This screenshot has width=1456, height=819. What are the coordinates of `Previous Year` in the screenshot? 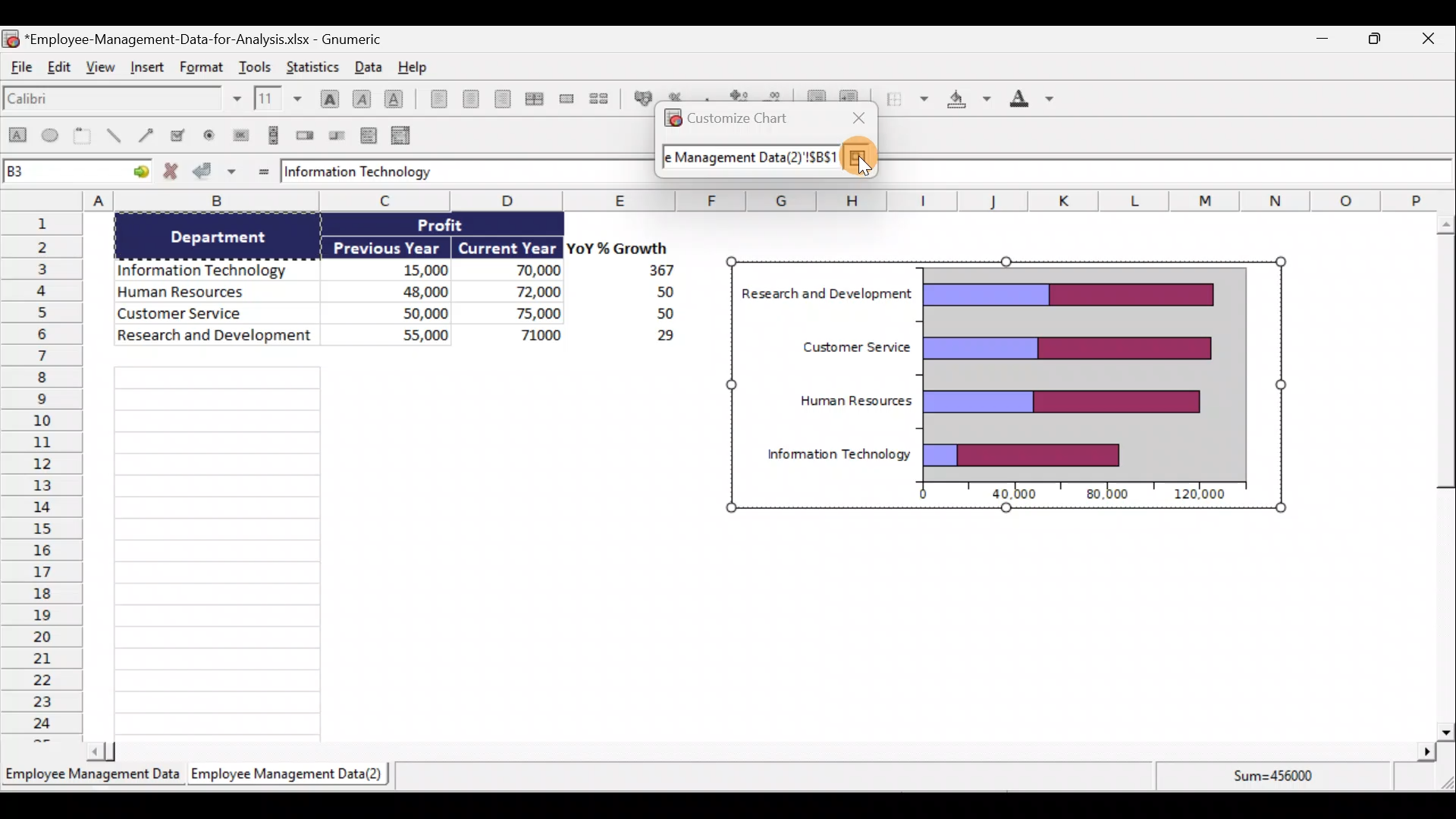 It's located at (388, 245).